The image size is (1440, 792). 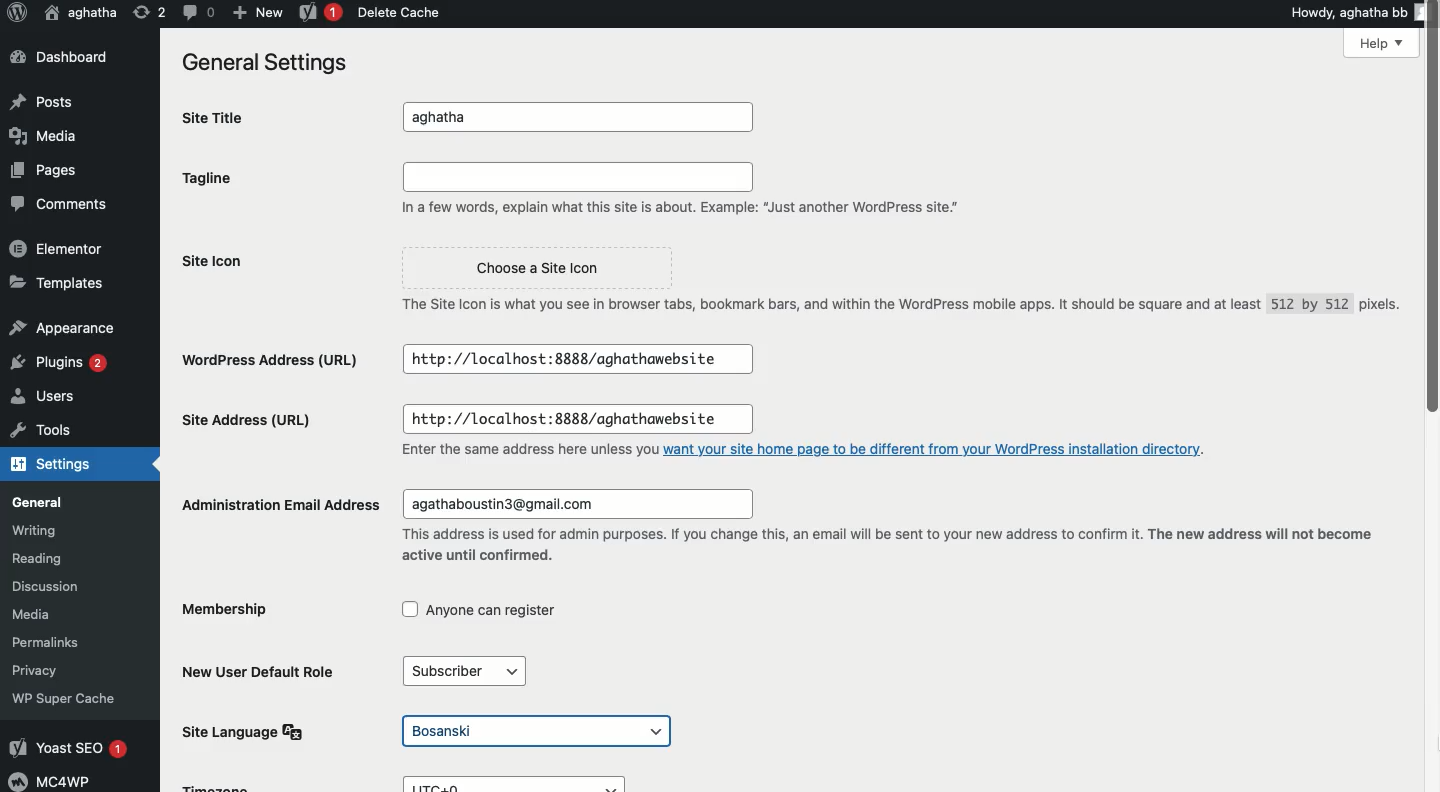 What do you see at coordinates (17, 14) in the screenshot?
I see `Logo` at bounding box center [17, 14].